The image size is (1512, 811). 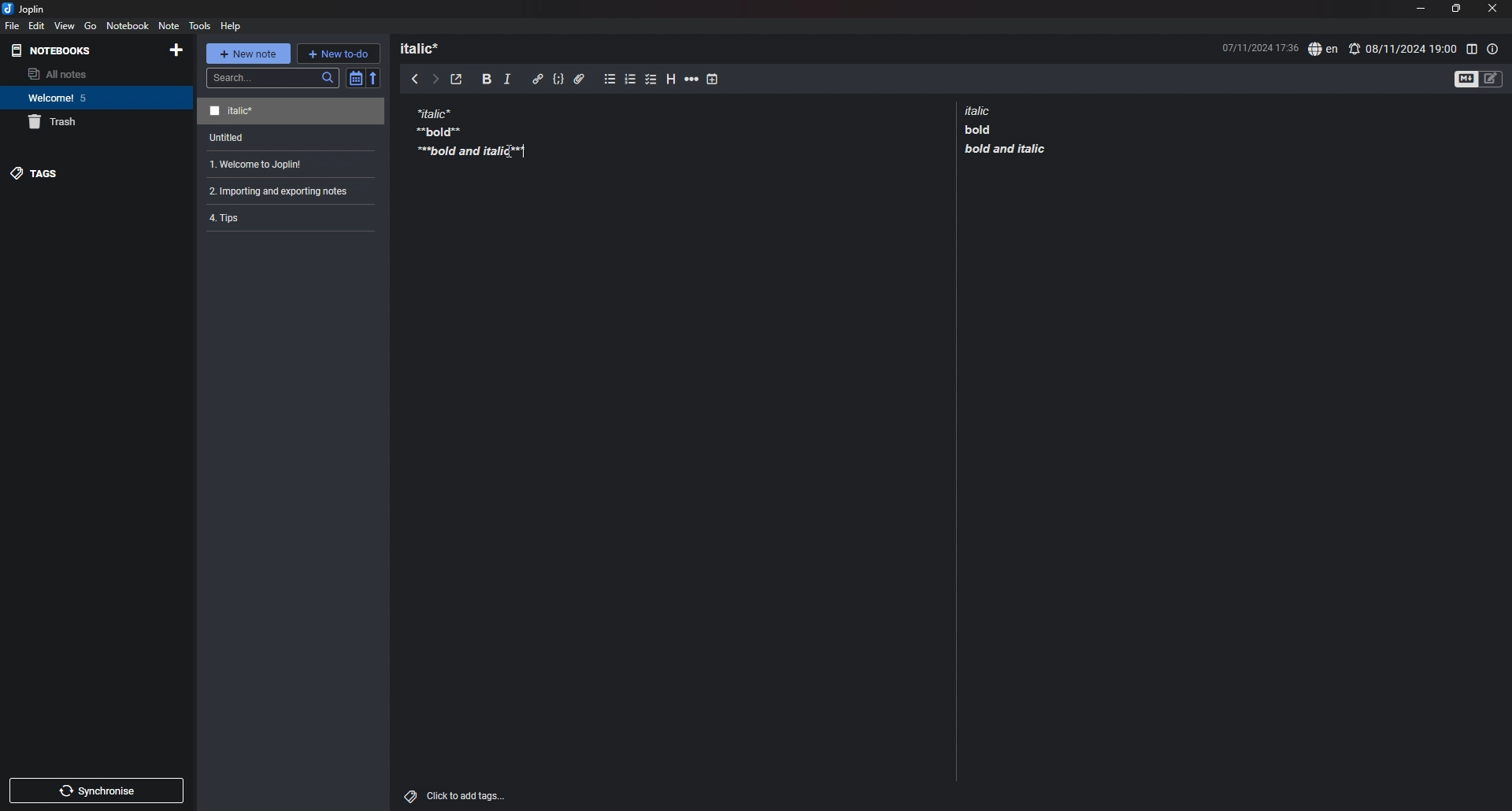 I want to click on add time, so click(x=713, y=79).